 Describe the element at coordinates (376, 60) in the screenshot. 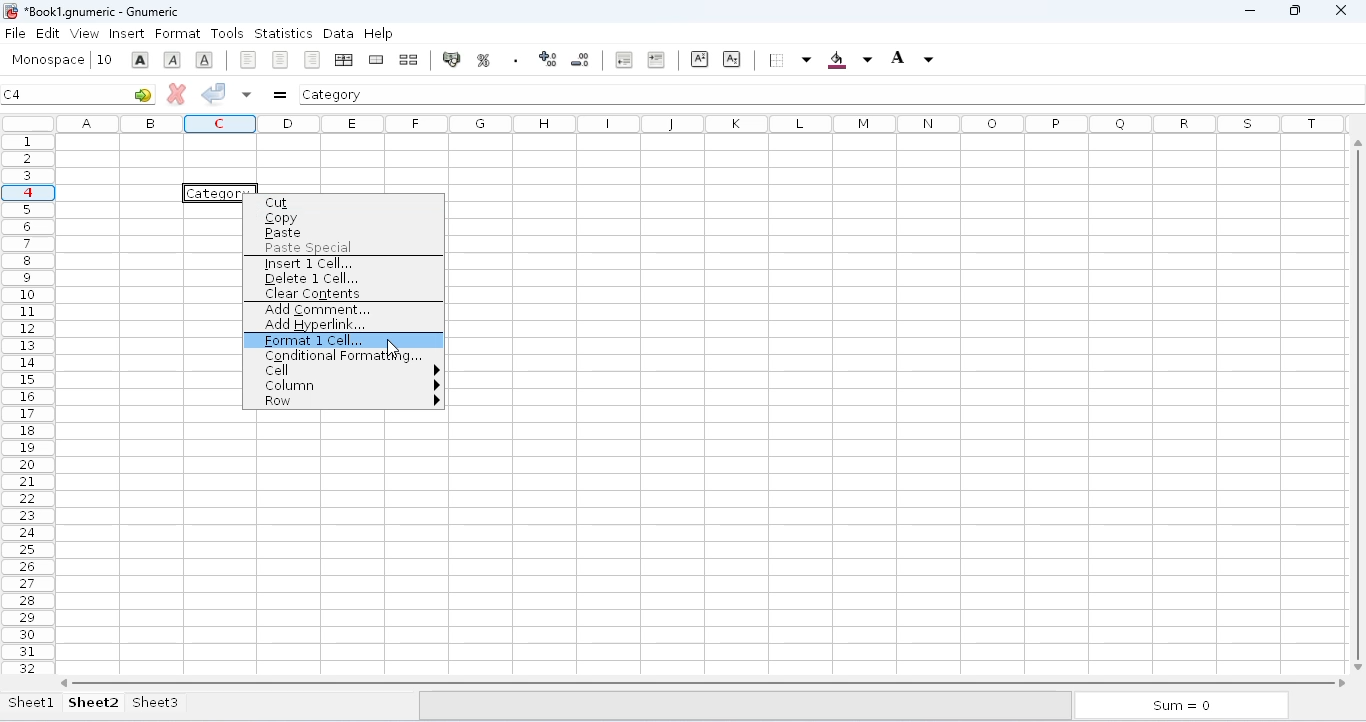

I see `merge a range of cells` at that location.